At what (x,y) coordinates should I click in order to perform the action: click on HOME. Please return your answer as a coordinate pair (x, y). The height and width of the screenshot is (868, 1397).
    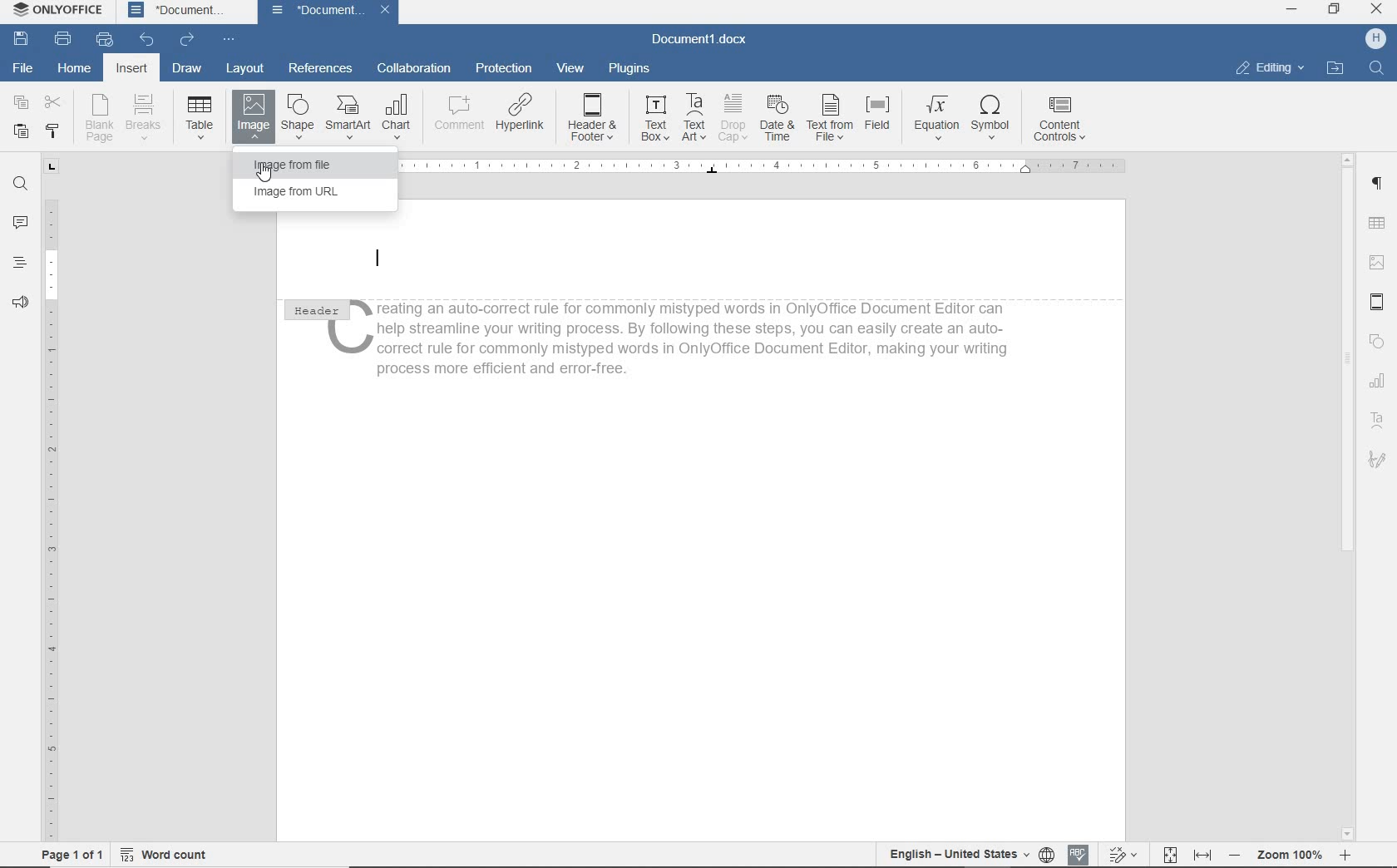
    Looking at the image, I should click on (72, 69).